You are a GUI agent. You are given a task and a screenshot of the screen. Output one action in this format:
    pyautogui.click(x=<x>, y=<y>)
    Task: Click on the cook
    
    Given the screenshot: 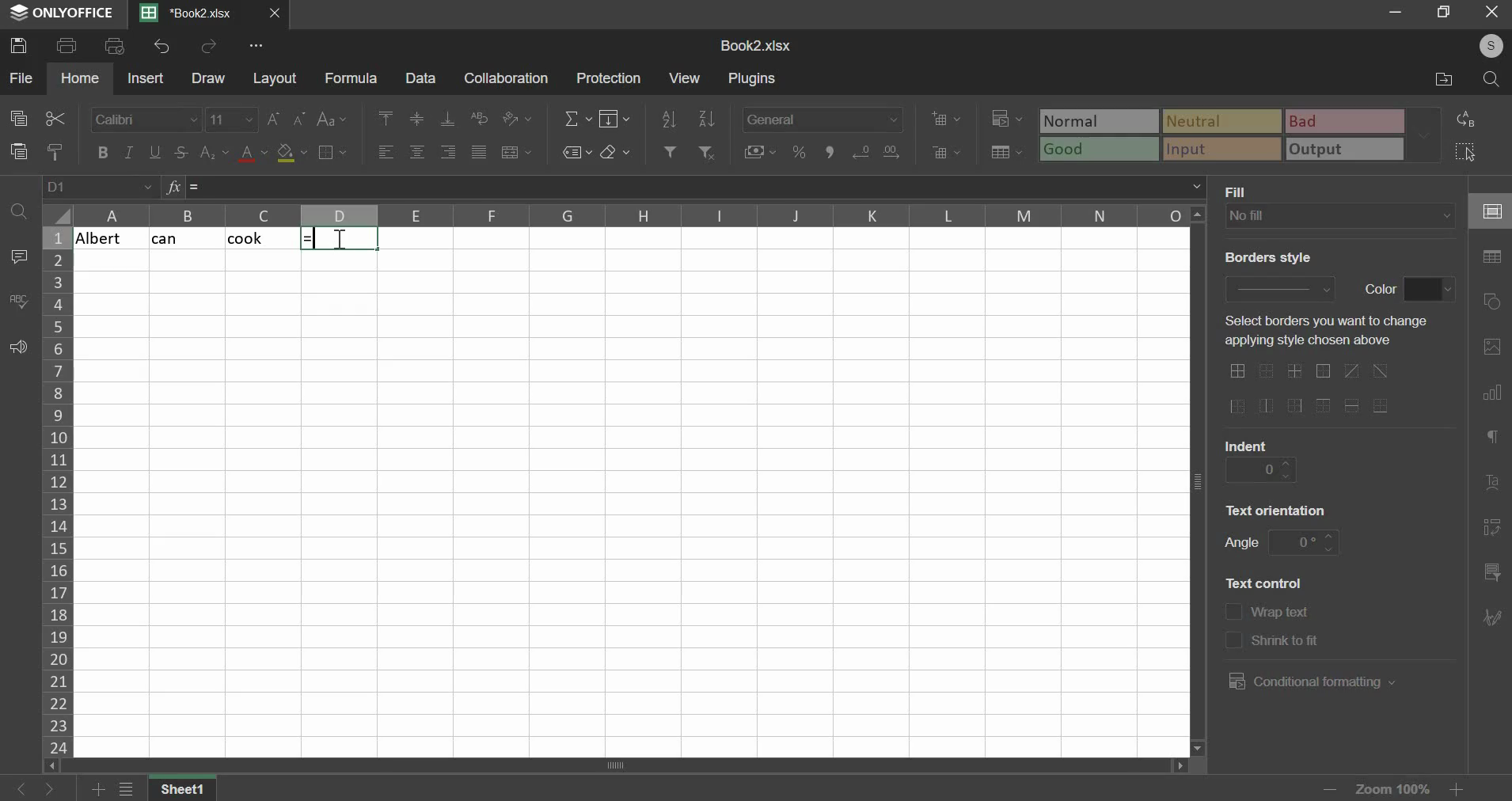 What is the action you would take?
    pyautogui.click(x=259, y=238)
    